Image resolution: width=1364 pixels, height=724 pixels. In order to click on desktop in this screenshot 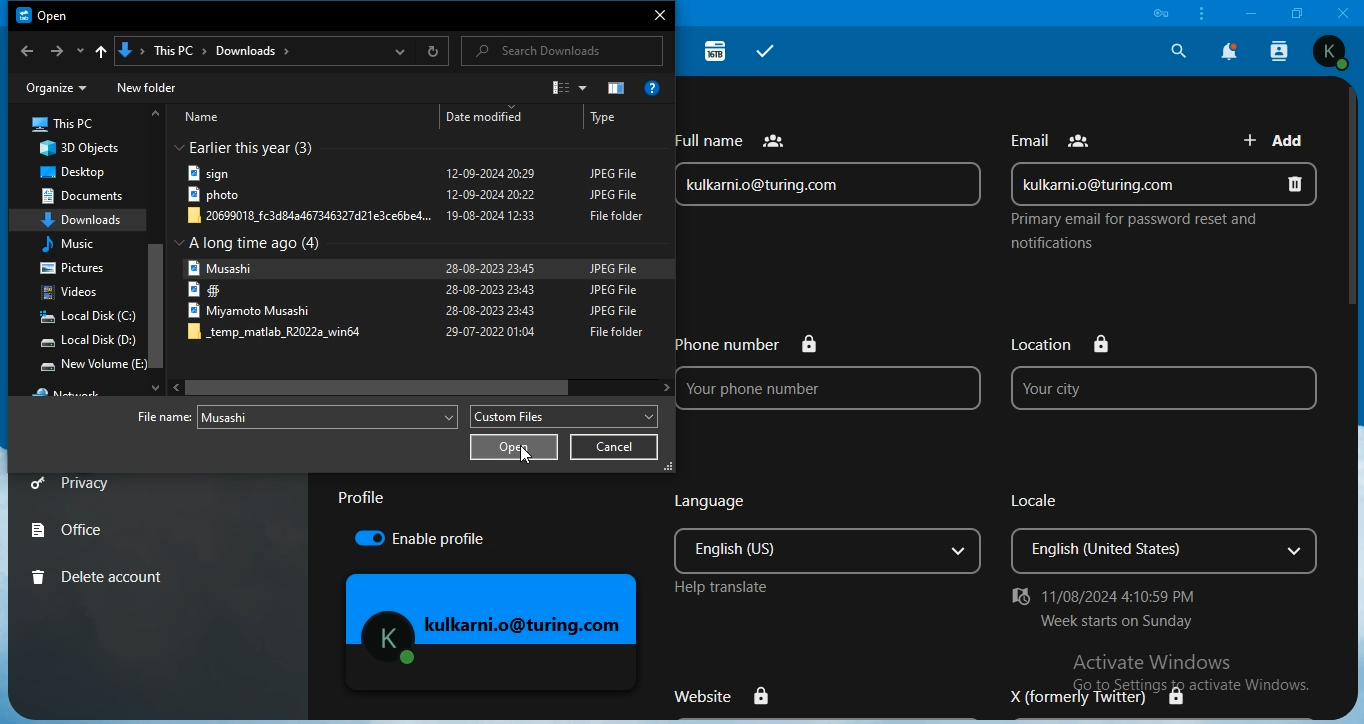, I will do `click(74, 174)`.